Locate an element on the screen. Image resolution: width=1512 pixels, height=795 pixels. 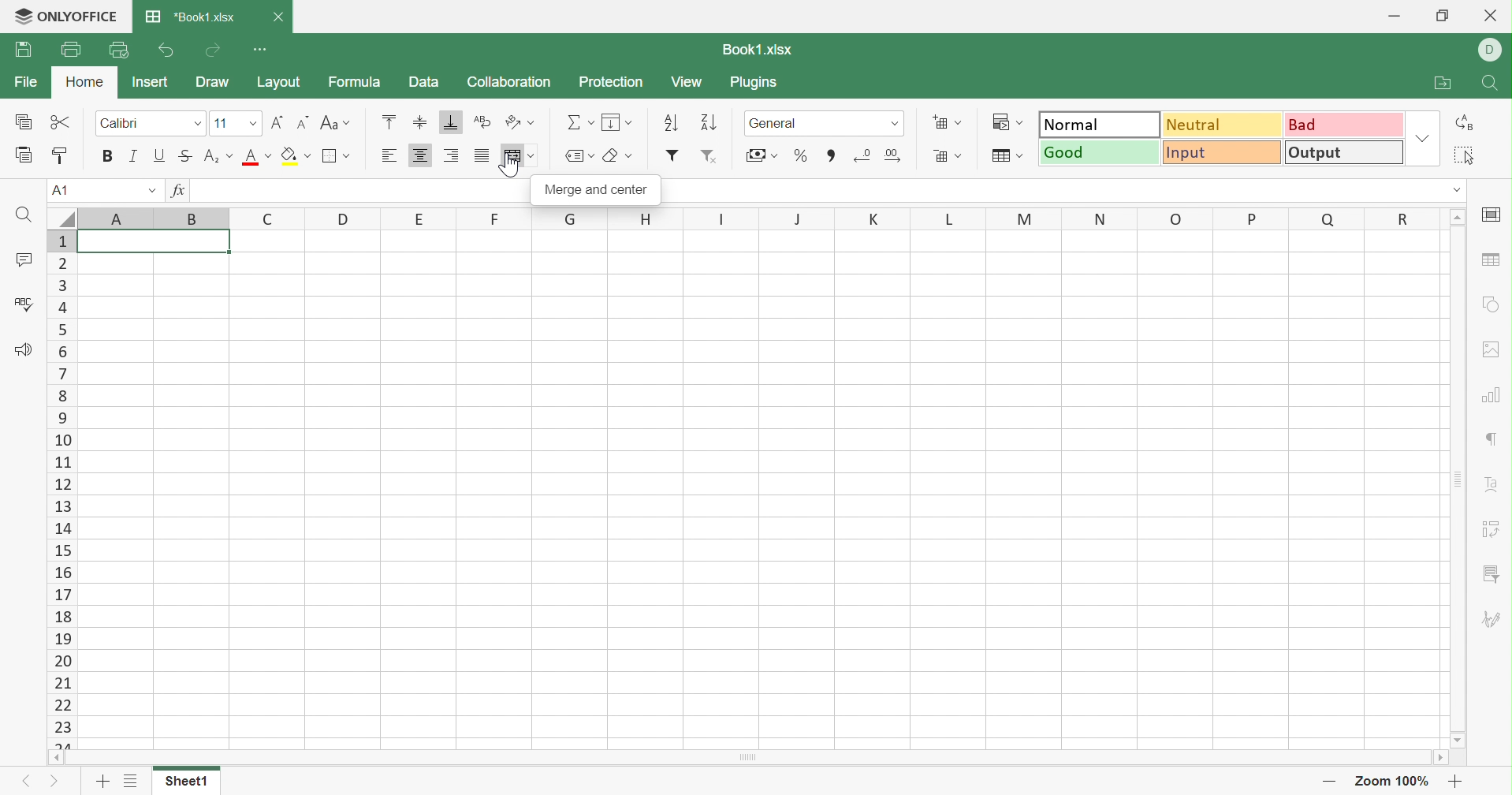
DELL is located at coordinates (1492, 47).